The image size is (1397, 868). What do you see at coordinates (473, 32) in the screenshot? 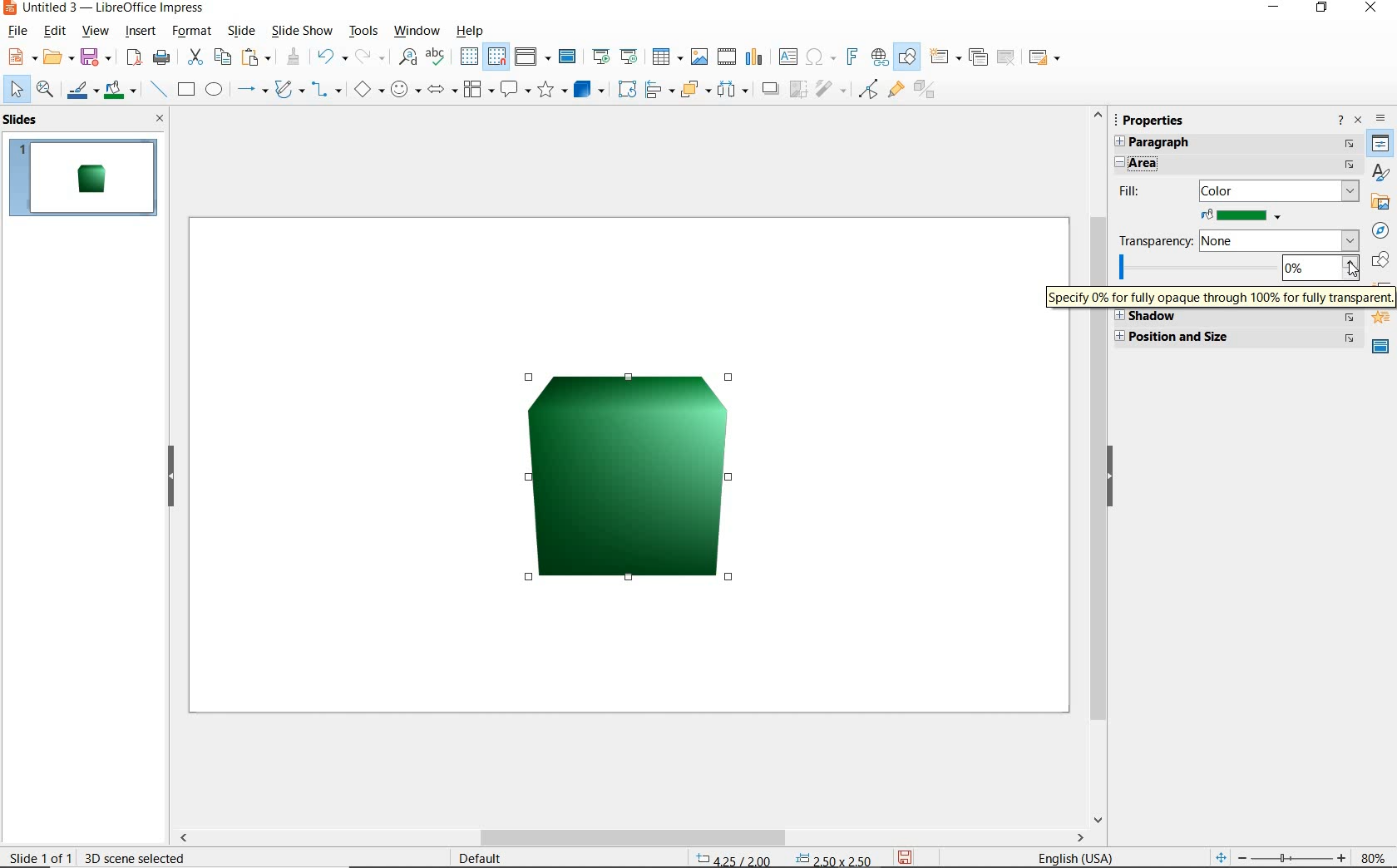
I see `help` at bounding box center [473, 32].